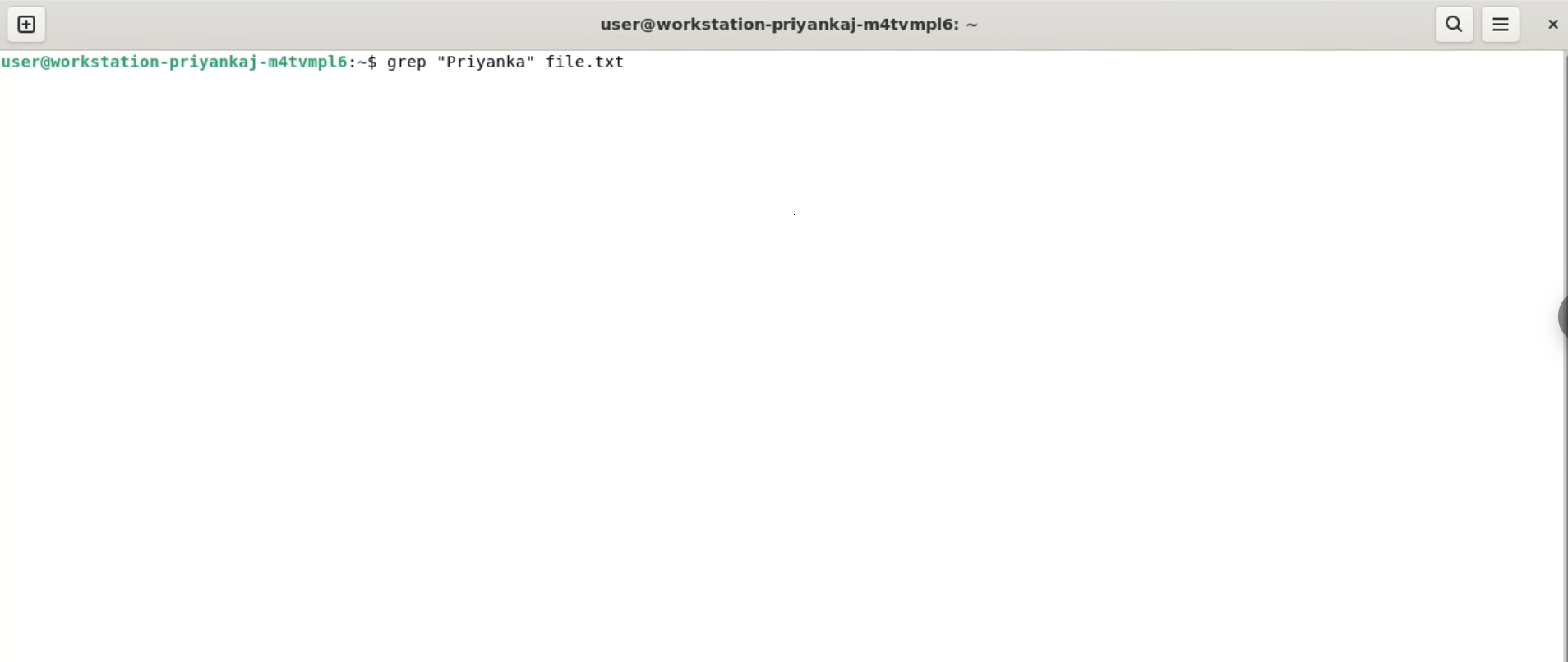 The width and height of the screenshot is (1568, 662). Describe the element at coordinates (1456, 24) in the screenshot. I see `search` at that location.